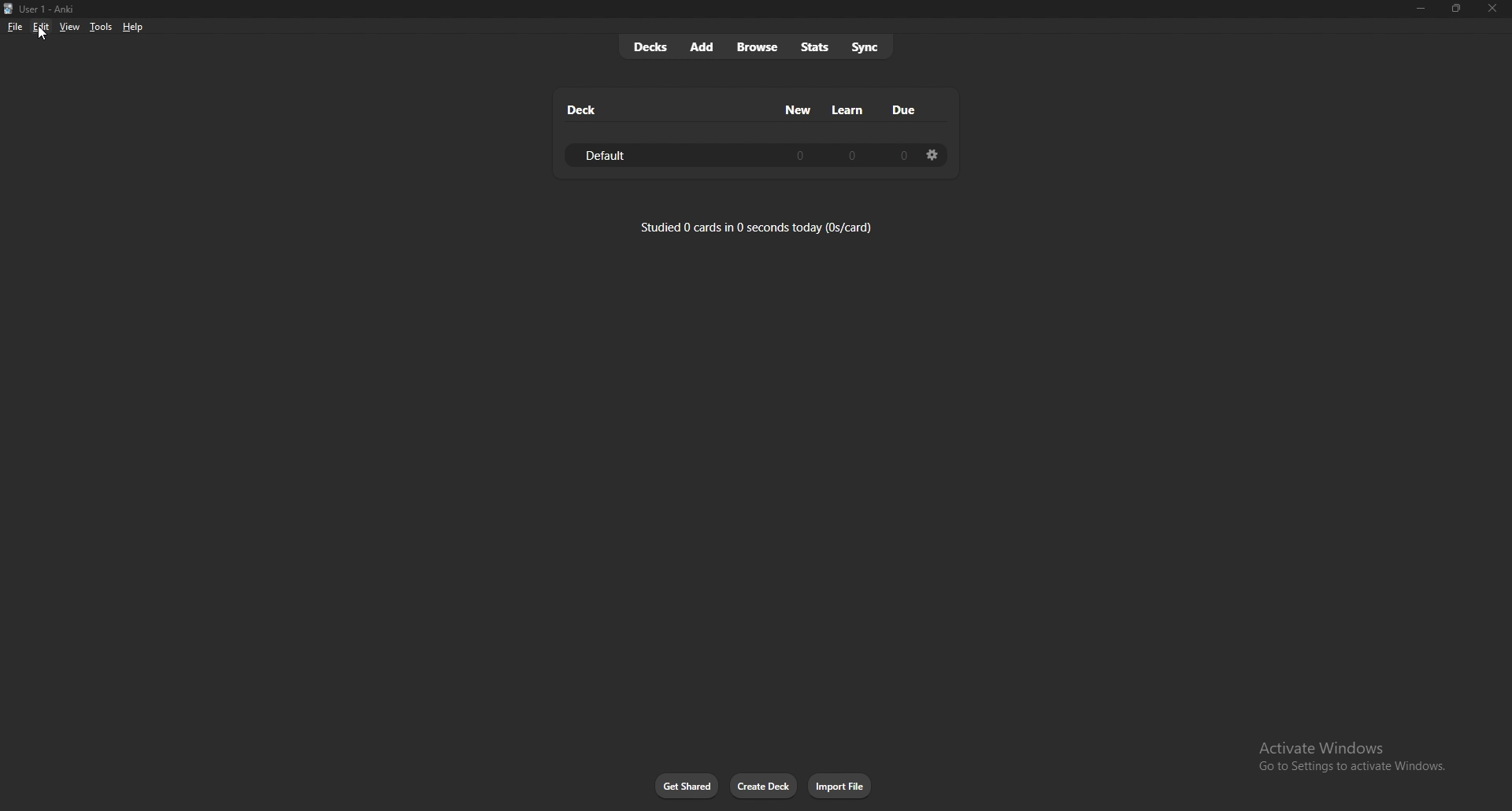 The height and width of the screenshot is (811, 1512). I want to click on due, so click(906, 110).